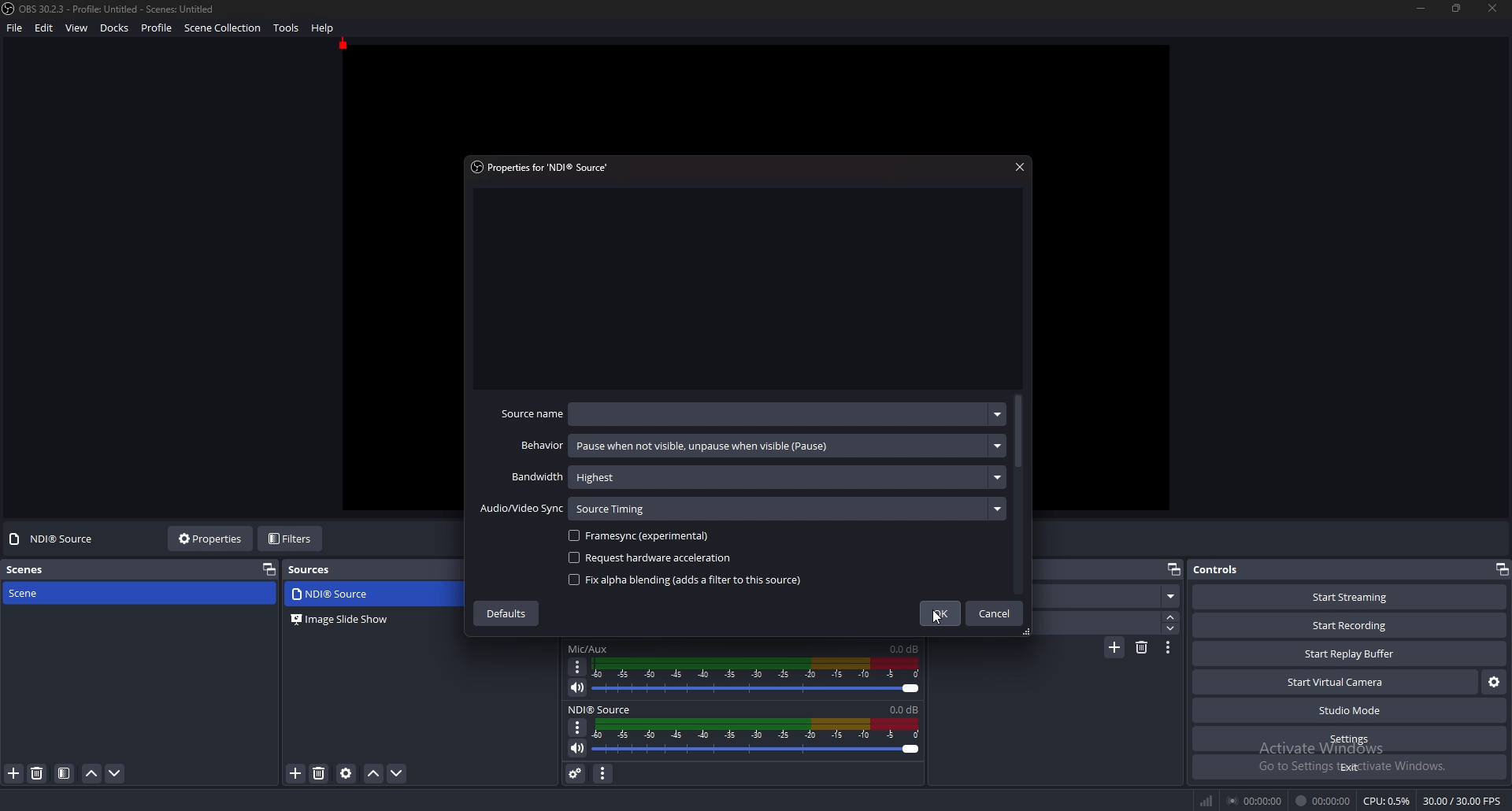 This screenshot has height=811, width=1512. What do you see at coordinates (287, 28) in the screenshot?
I see `tools` at bounding box center [287, 28].